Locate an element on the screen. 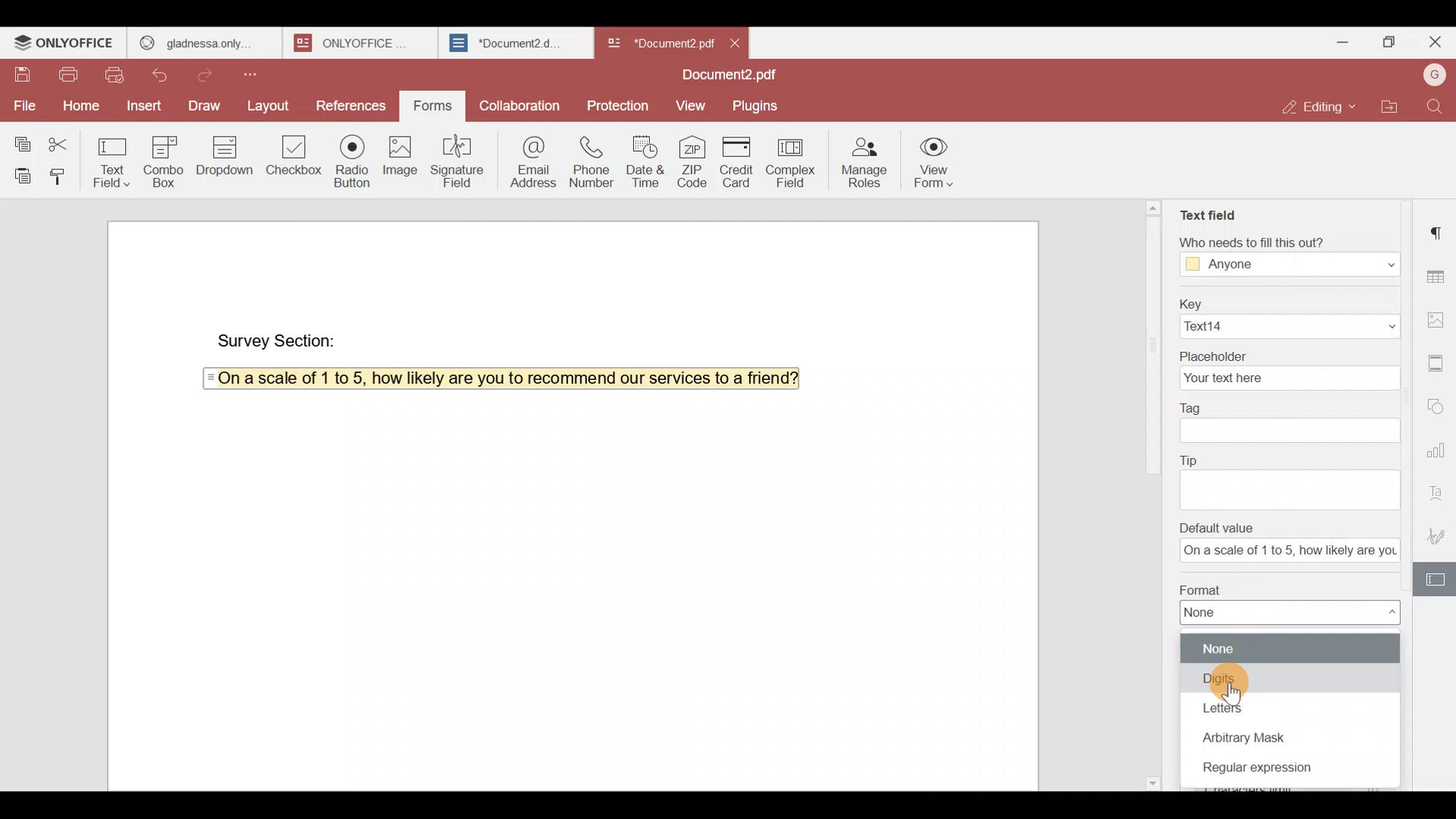 The height and width of the screenshot is (819, 1456). Collaboration is located at coordinates (522, 108).